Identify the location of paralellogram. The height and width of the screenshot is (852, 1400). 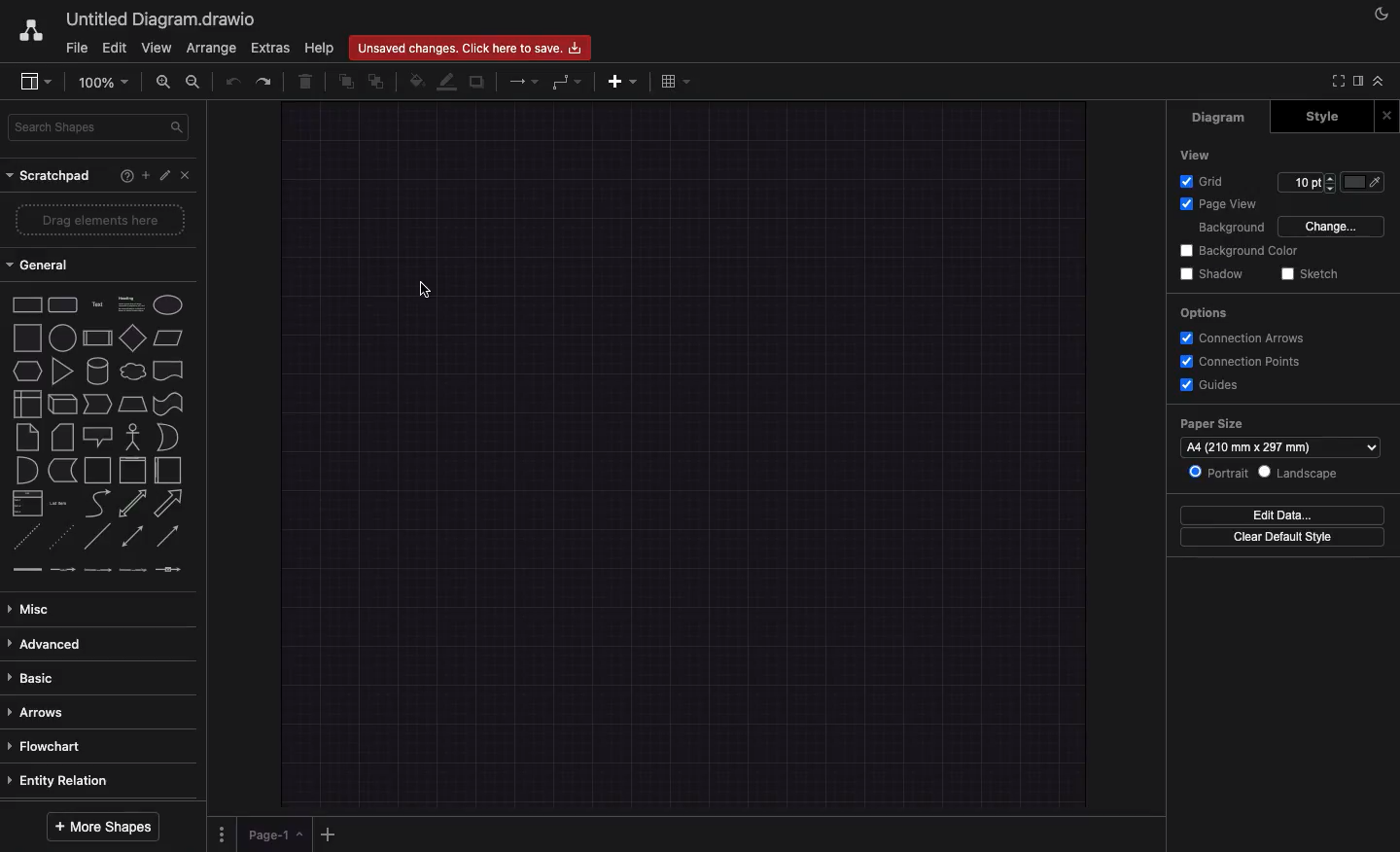
(169, 338).